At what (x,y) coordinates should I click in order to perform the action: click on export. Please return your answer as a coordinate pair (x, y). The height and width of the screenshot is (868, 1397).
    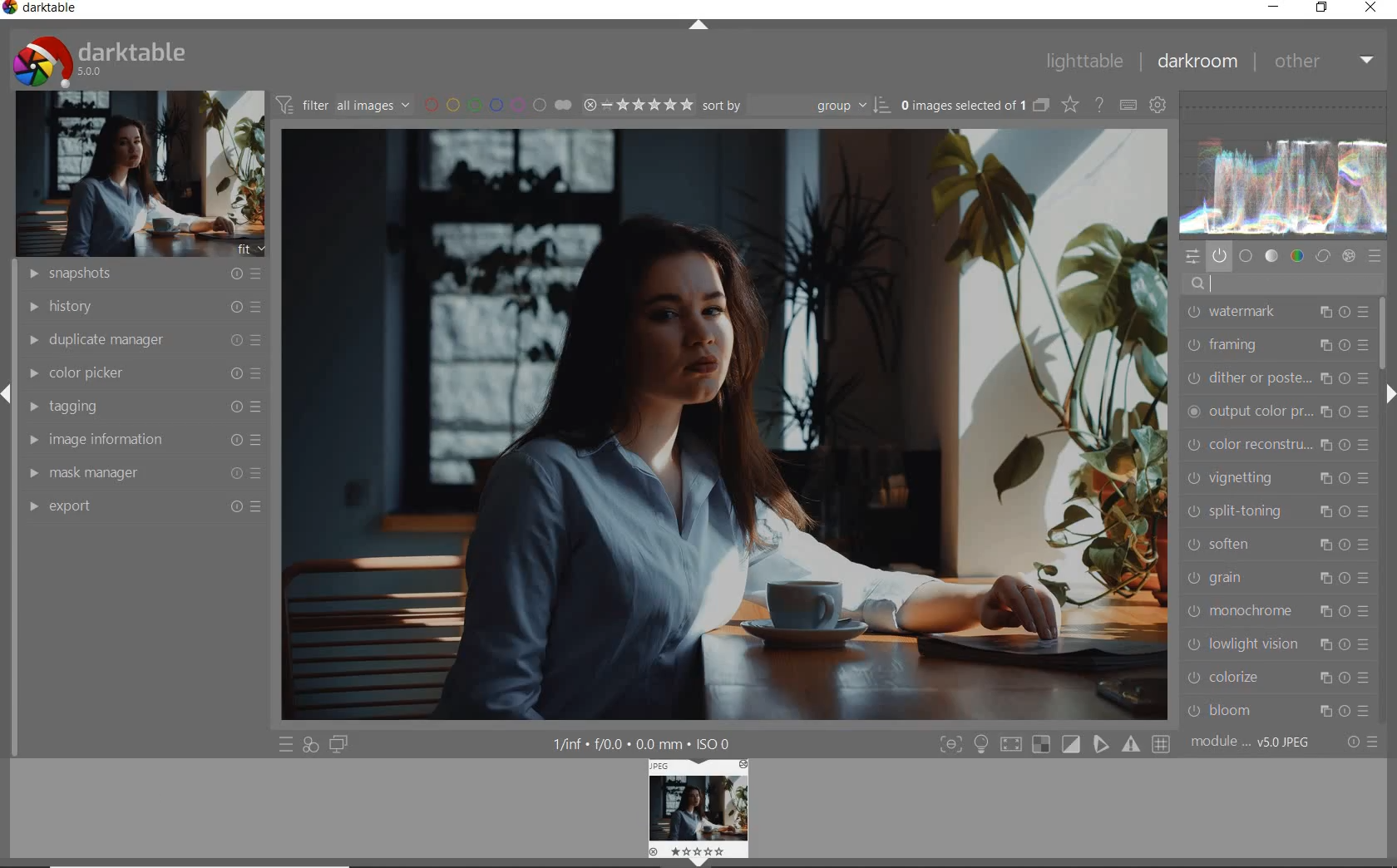
    Looking at the image, I should click on (142, 506).